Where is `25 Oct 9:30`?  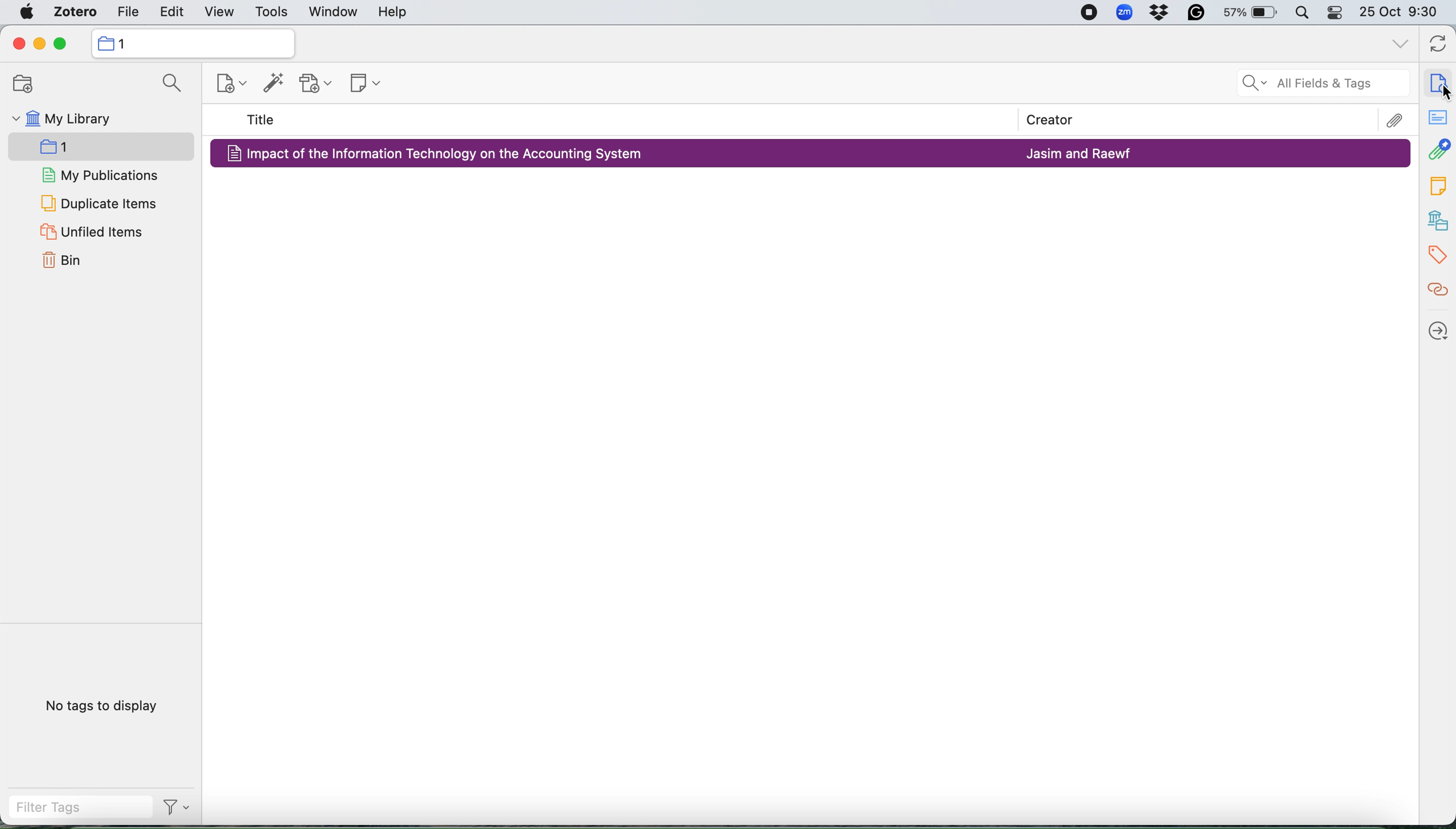
25 Oct 9:30 is located at coordinates (1402, 13).